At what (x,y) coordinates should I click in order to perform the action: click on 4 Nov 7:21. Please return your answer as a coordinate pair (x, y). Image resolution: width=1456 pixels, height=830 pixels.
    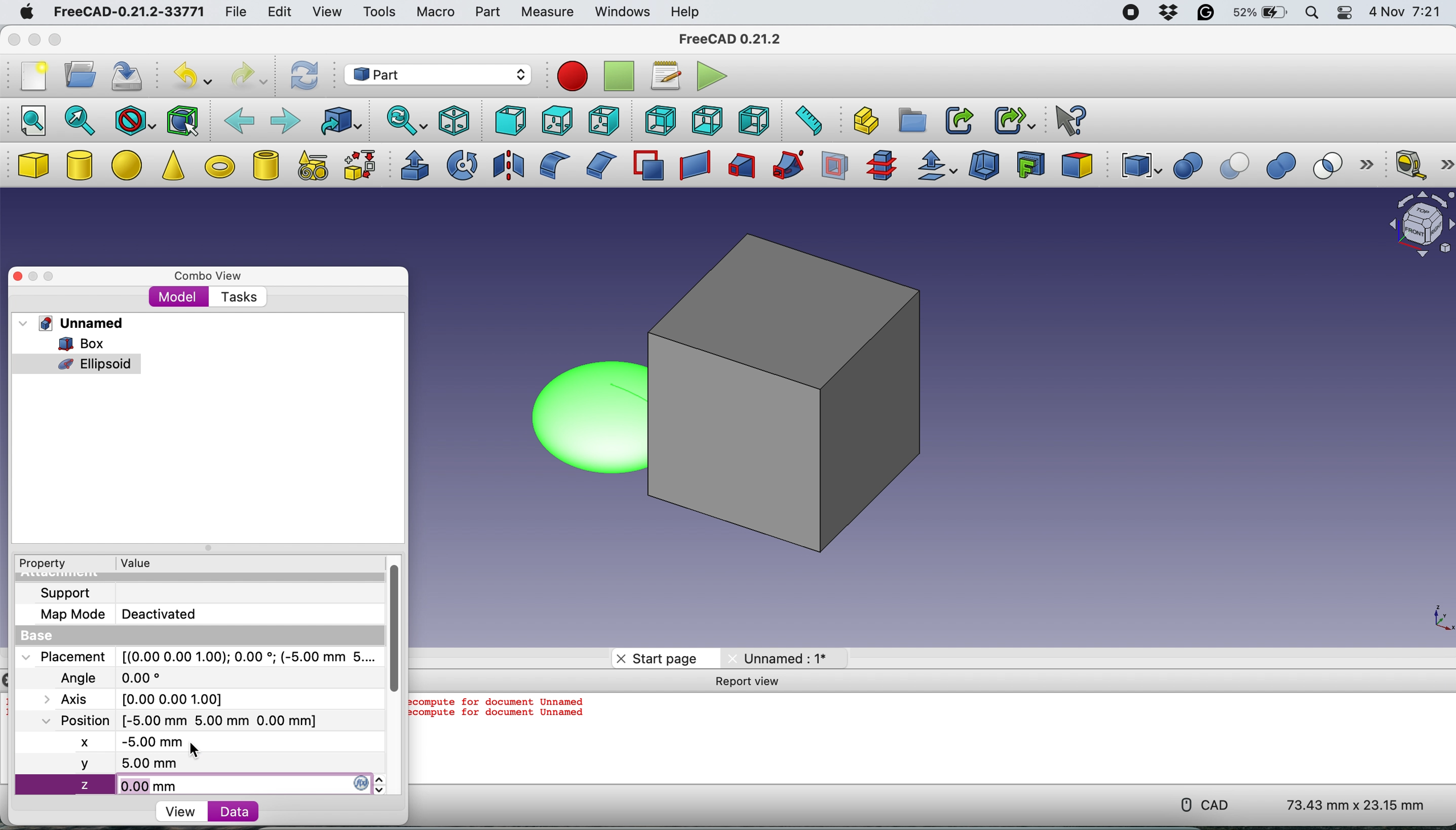
    Looking at the image, I should click on (1407, 14).